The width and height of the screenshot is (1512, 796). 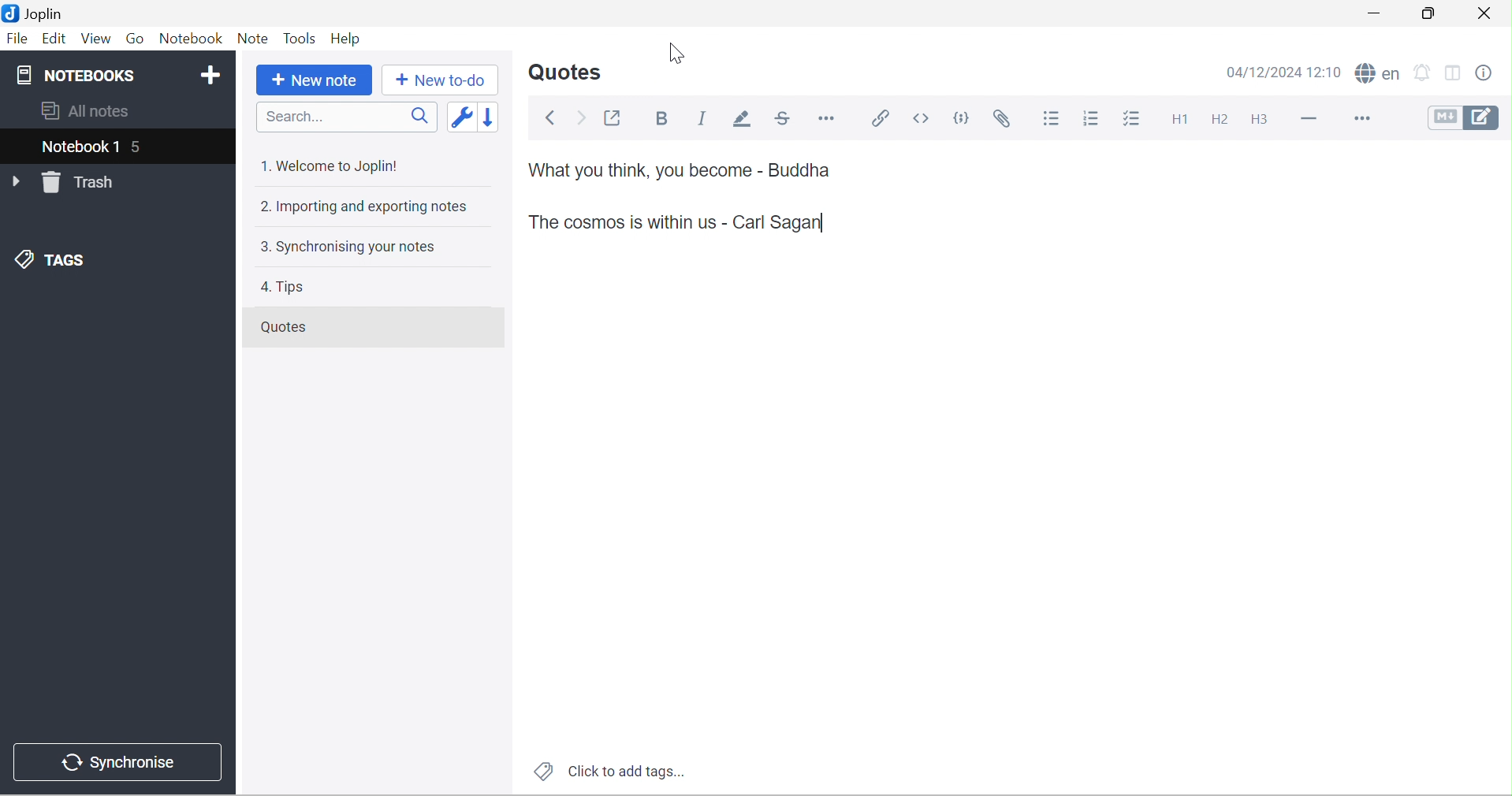 What do you see at coordinates (614, 117) in the screenshot?
I see `Toggle external editing` at bounding box center [614, 117].